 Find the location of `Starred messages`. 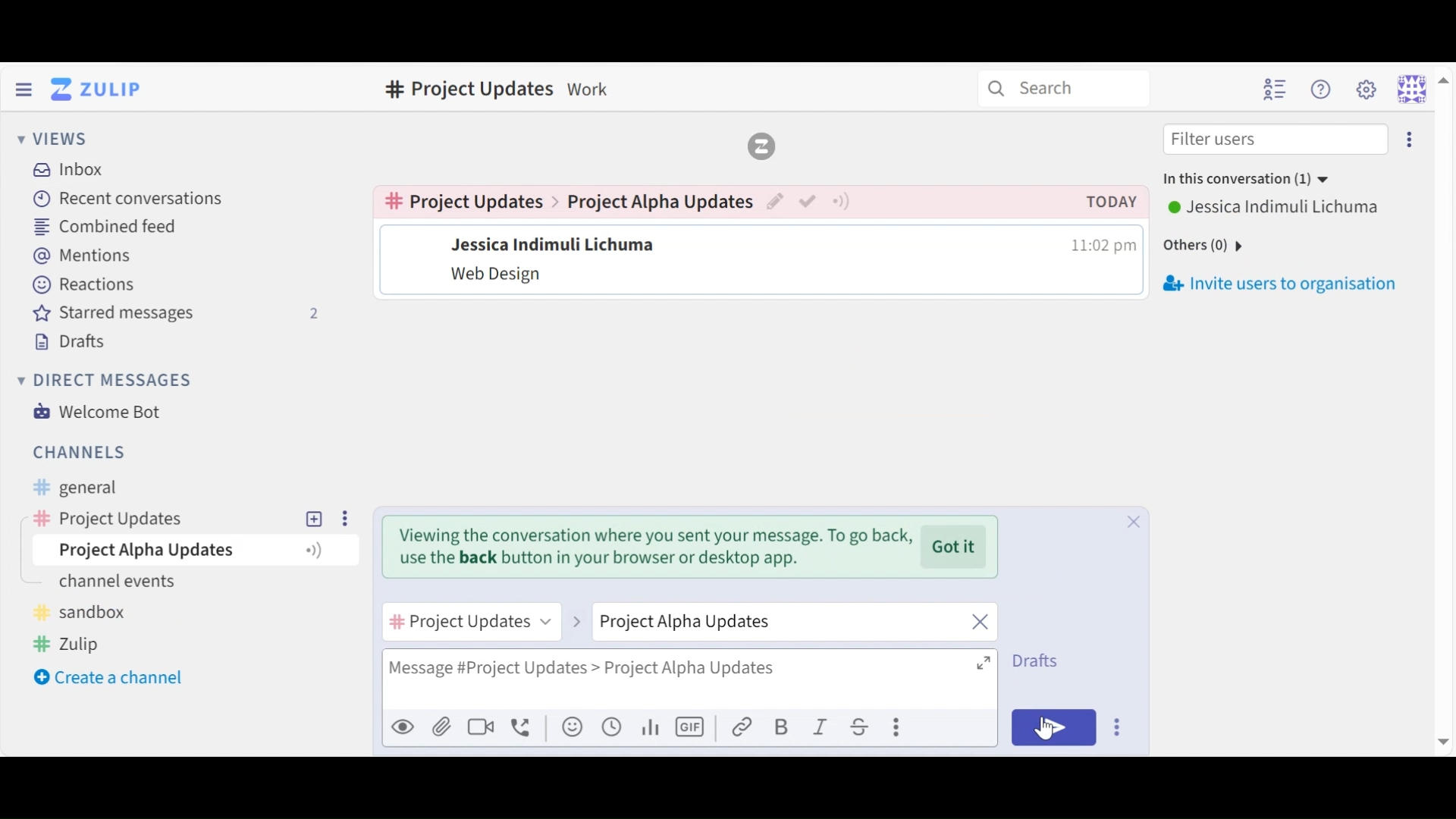

Starred messages is located at coordinates (176, 313).